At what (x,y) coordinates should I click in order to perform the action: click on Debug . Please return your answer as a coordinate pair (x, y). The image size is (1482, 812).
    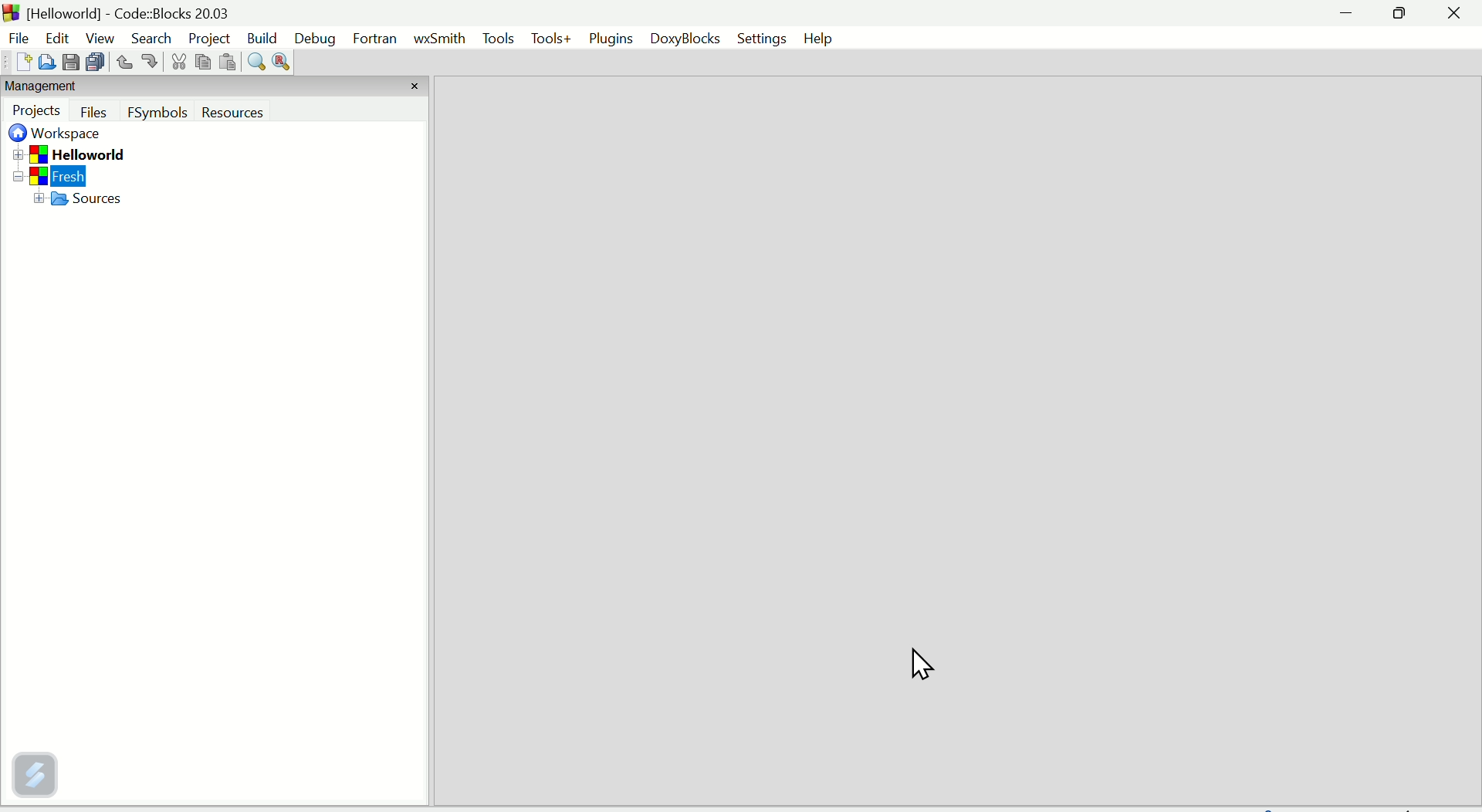
    Looking at the image, I should click on (315, 37).